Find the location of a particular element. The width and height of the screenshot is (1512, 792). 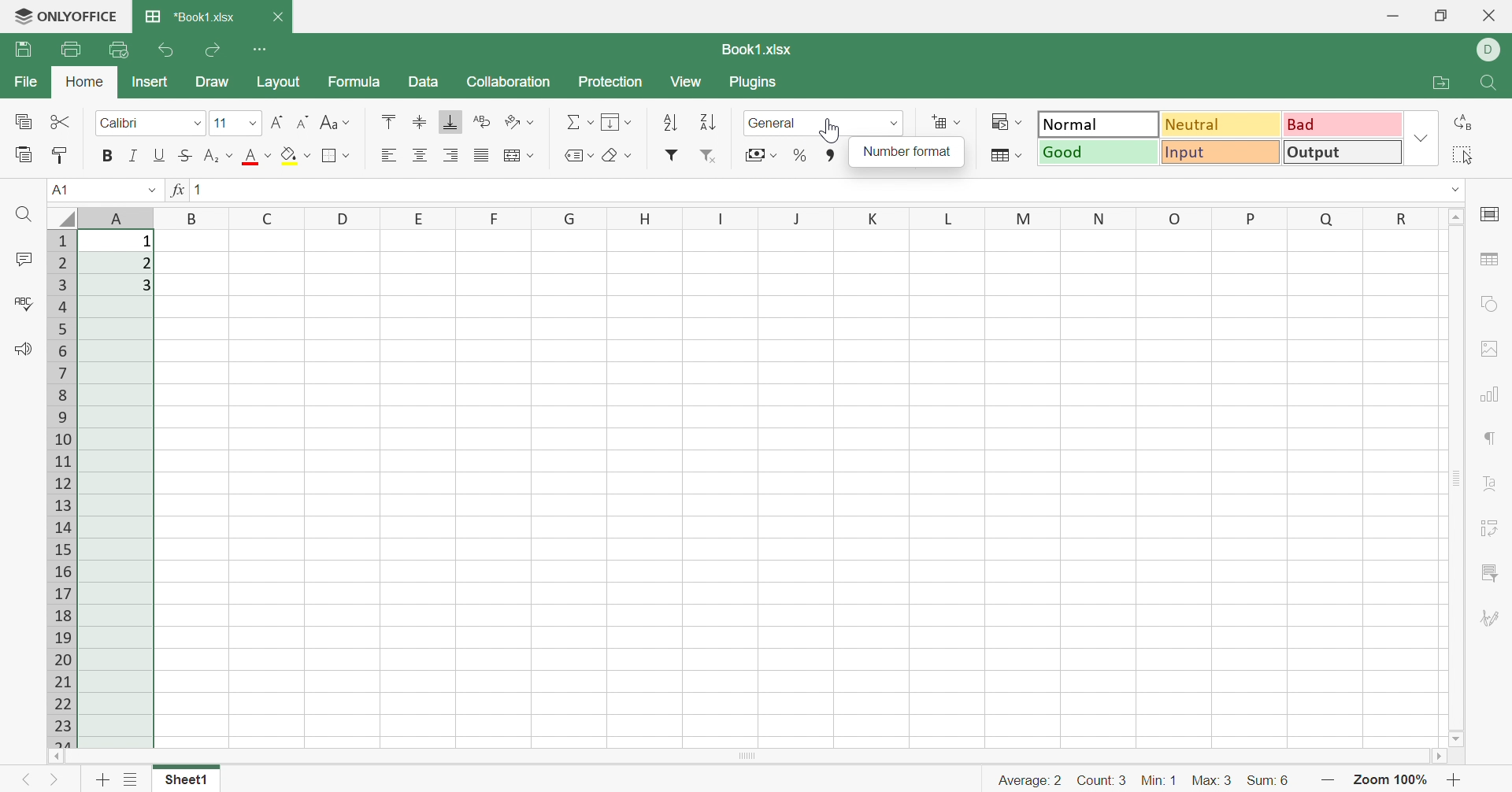

Clear is located at coordinates (615, 156).